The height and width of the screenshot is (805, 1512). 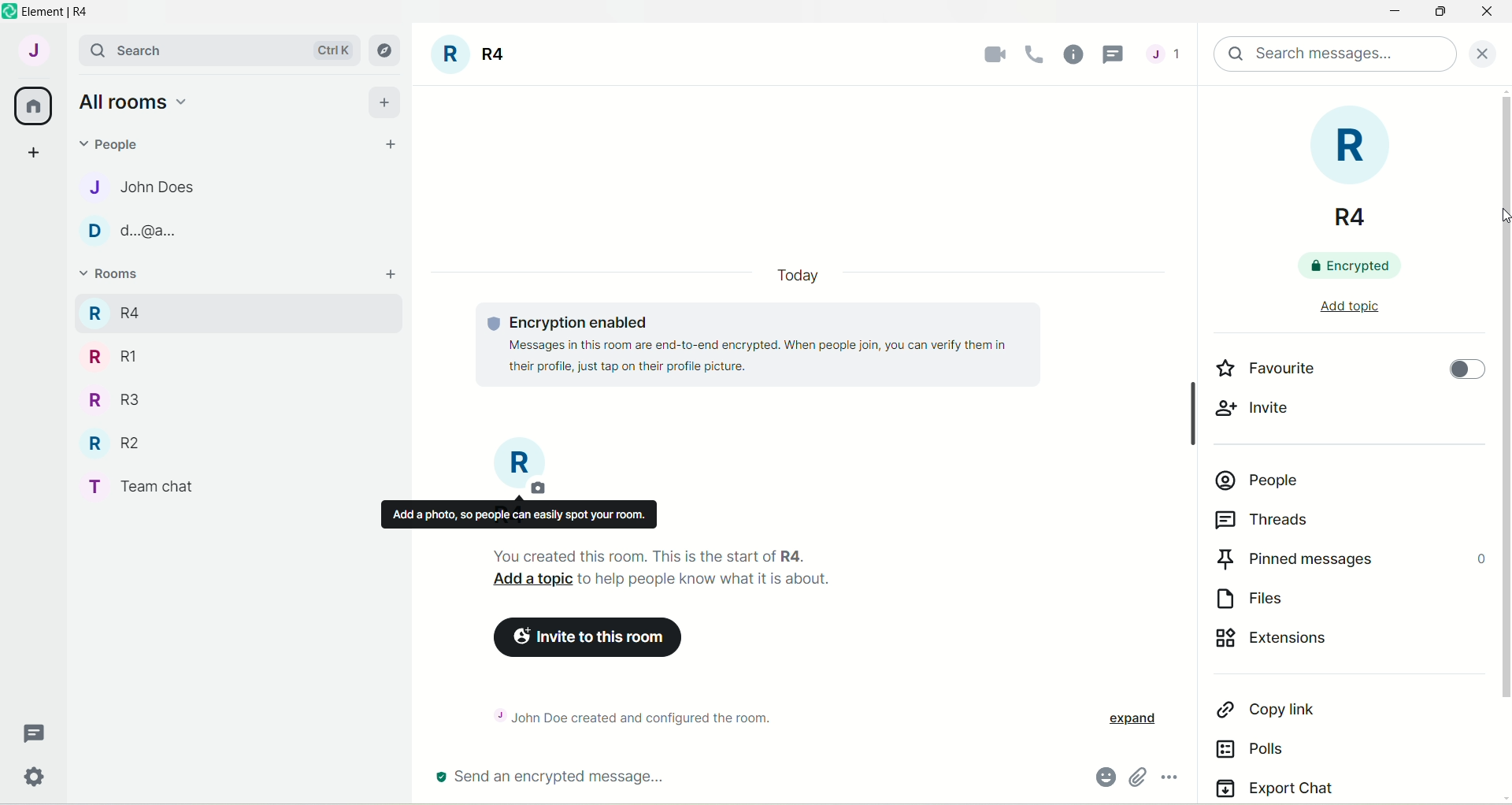 What do you see at coordinates (109, 440) in the screenshot?
I see `R R2` at bounding box center [109, 440].